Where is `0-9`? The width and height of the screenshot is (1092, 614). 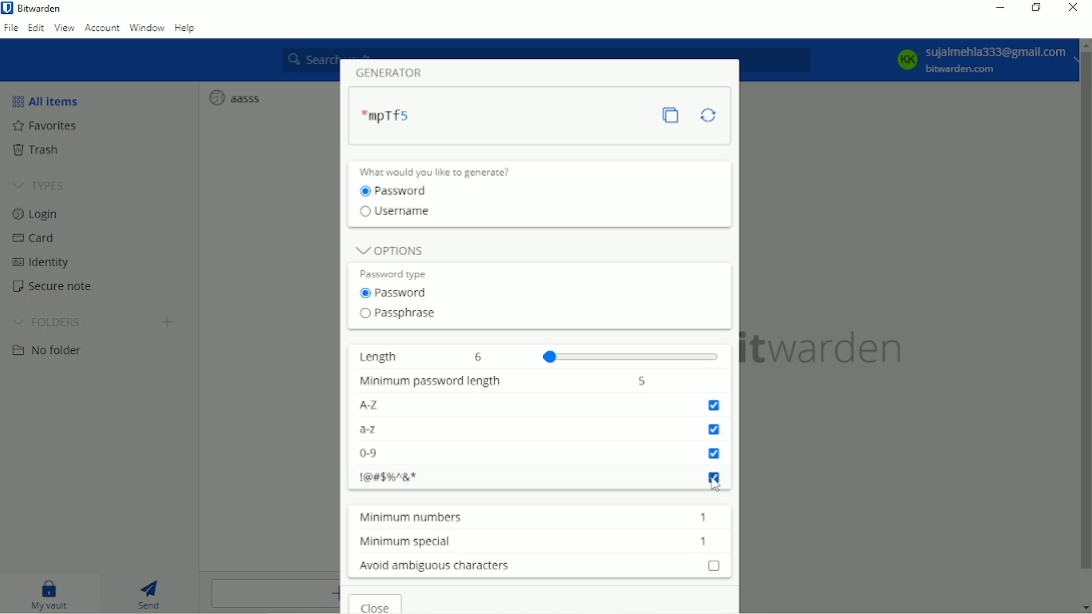
0-9 is located at coordinates (388, 455).